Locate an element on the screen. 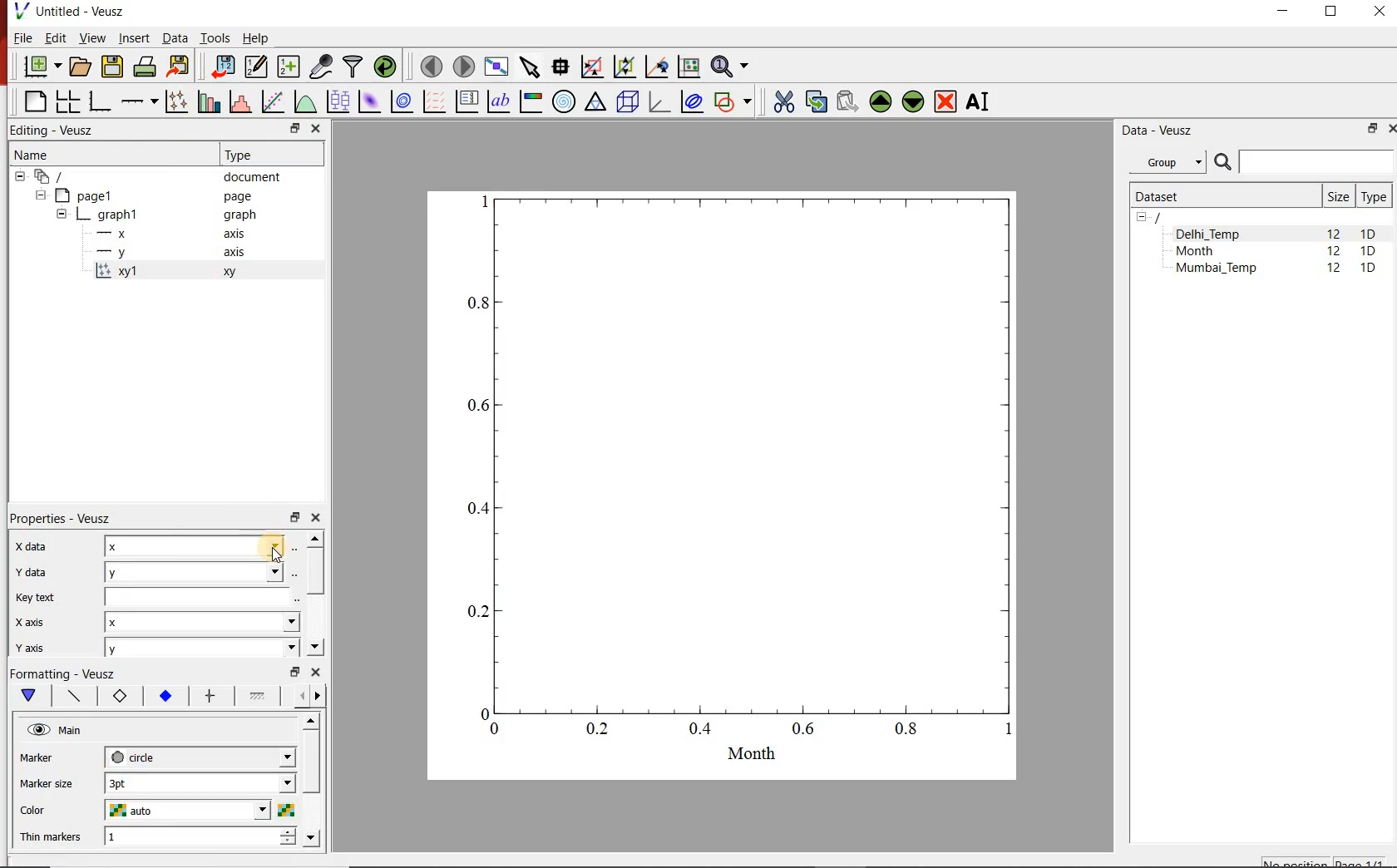 This screenshot has height=868, width=1397. remove the selected widgets is located at coordinates (946, 101).